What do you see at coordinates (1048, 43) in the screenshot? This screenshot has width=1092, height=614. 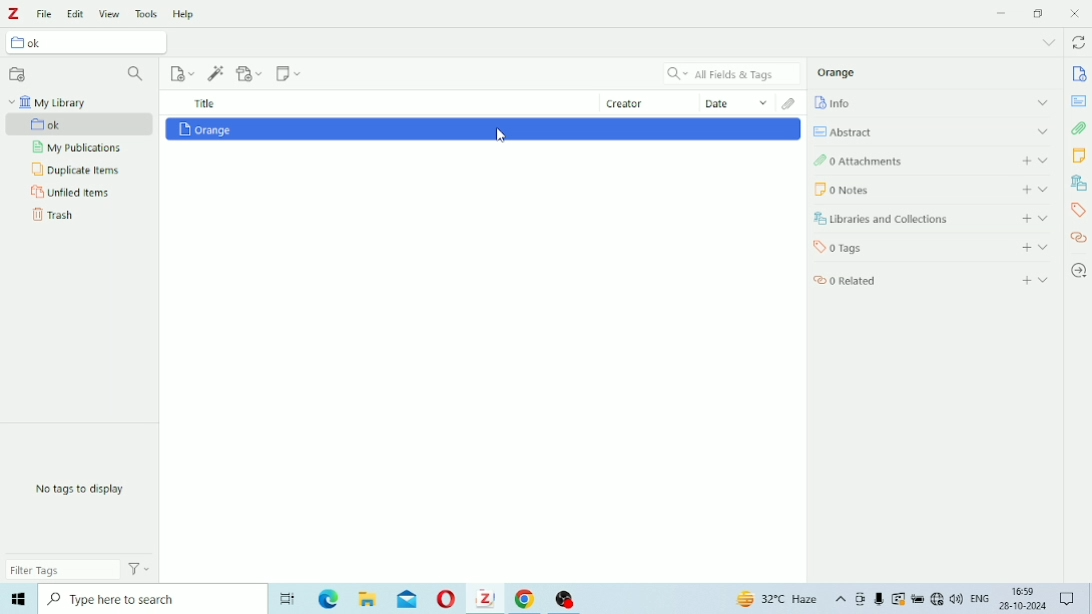 I see `List all tabs` at bounding box center [1048, 43].